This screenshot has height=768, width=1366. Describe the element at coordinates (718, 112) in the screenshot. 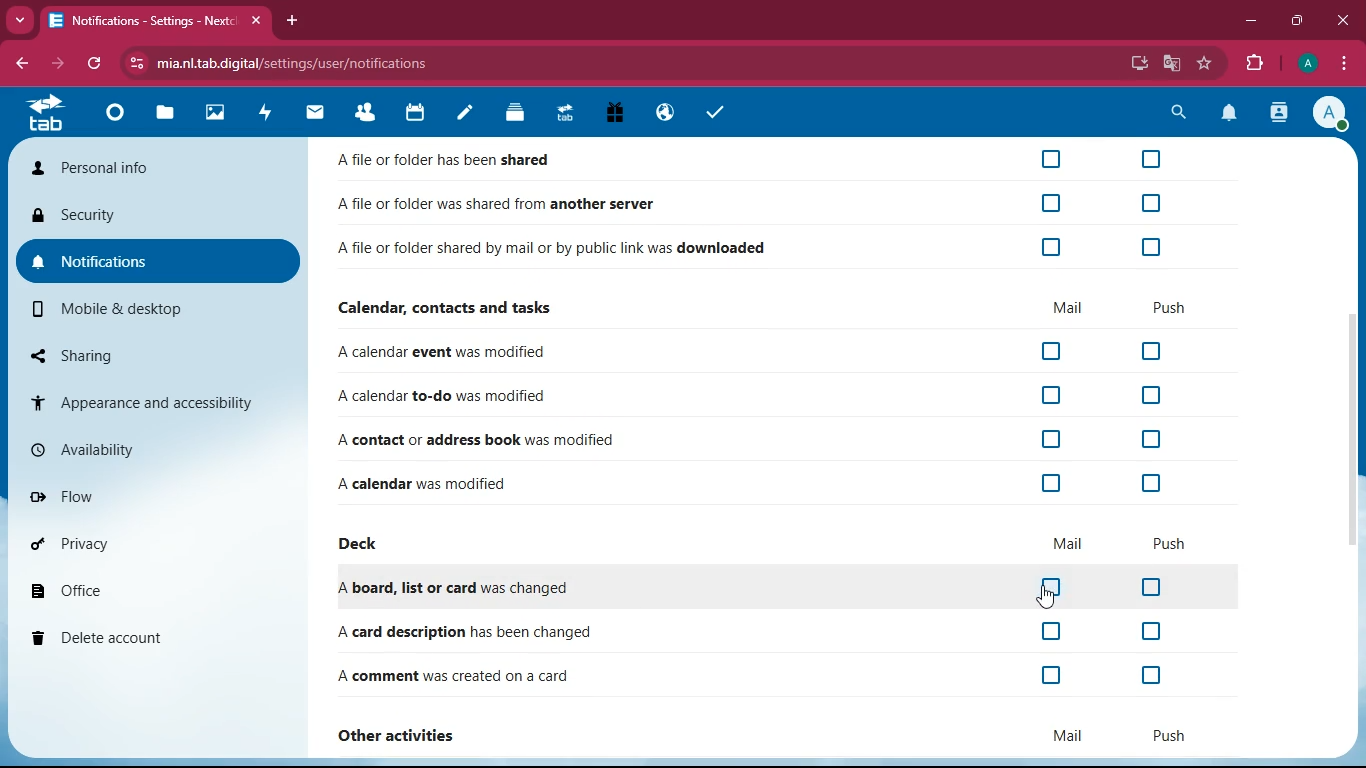

I see `tasks` at that location.